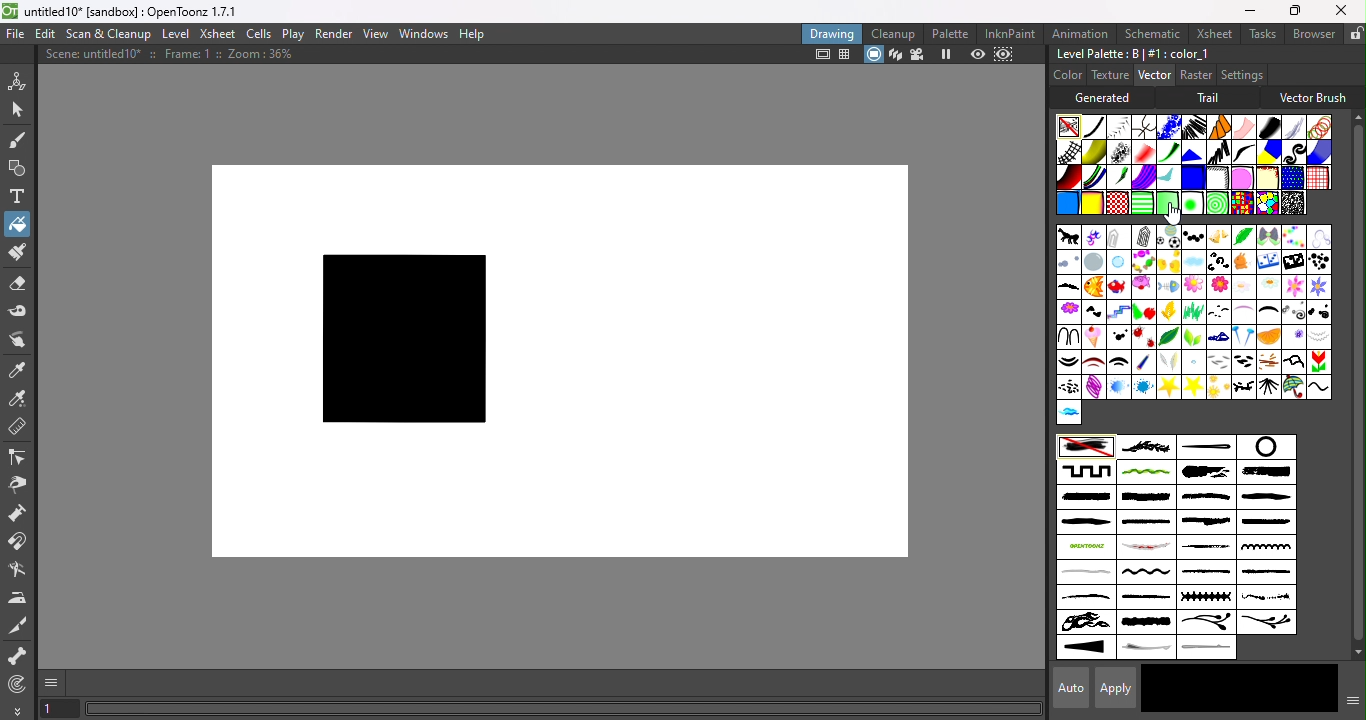 This screenshot has width=1366, height=720. I want to click on Tulle, so click(1244, 127).